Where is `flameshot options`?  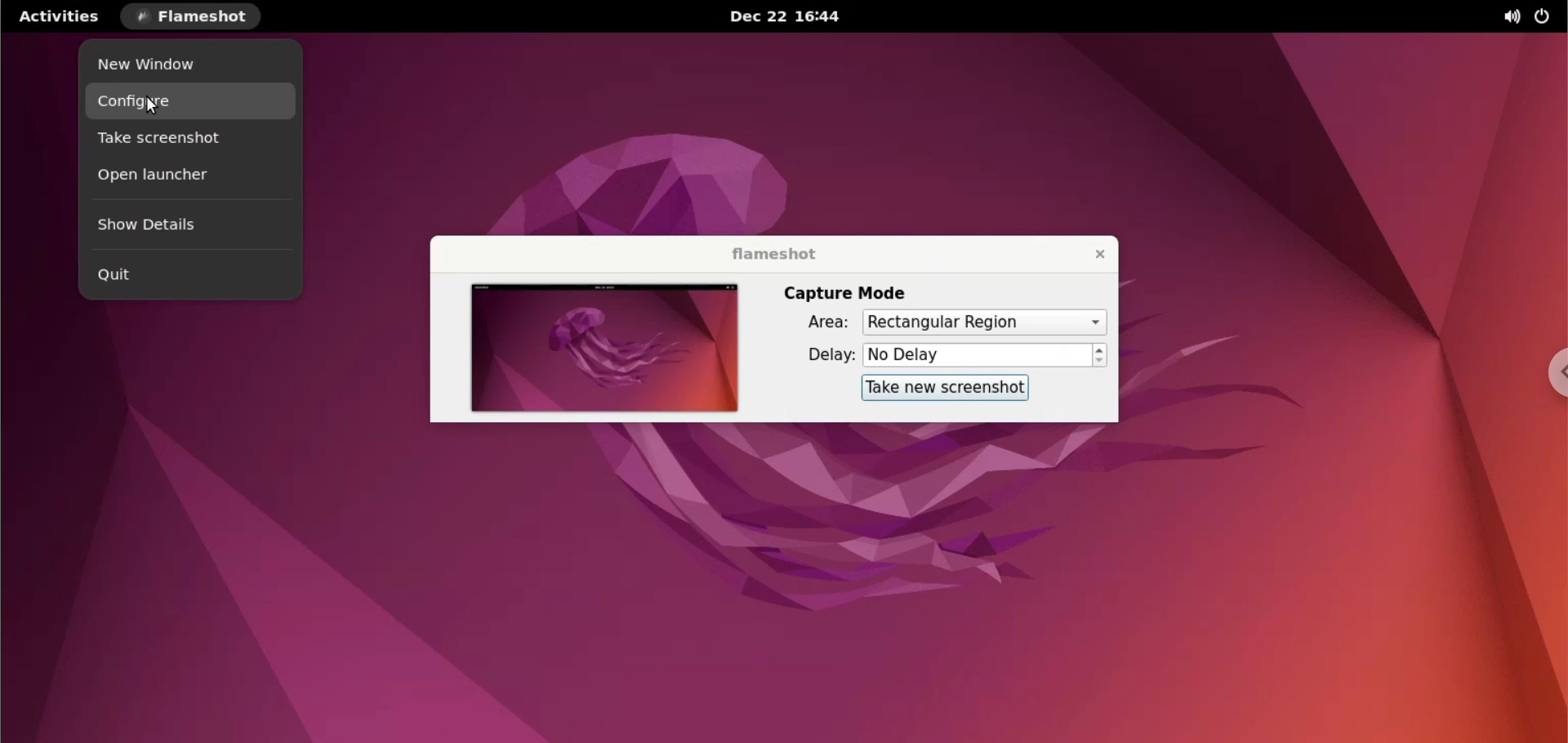 flameshot options is located at coordinates (194, 16).